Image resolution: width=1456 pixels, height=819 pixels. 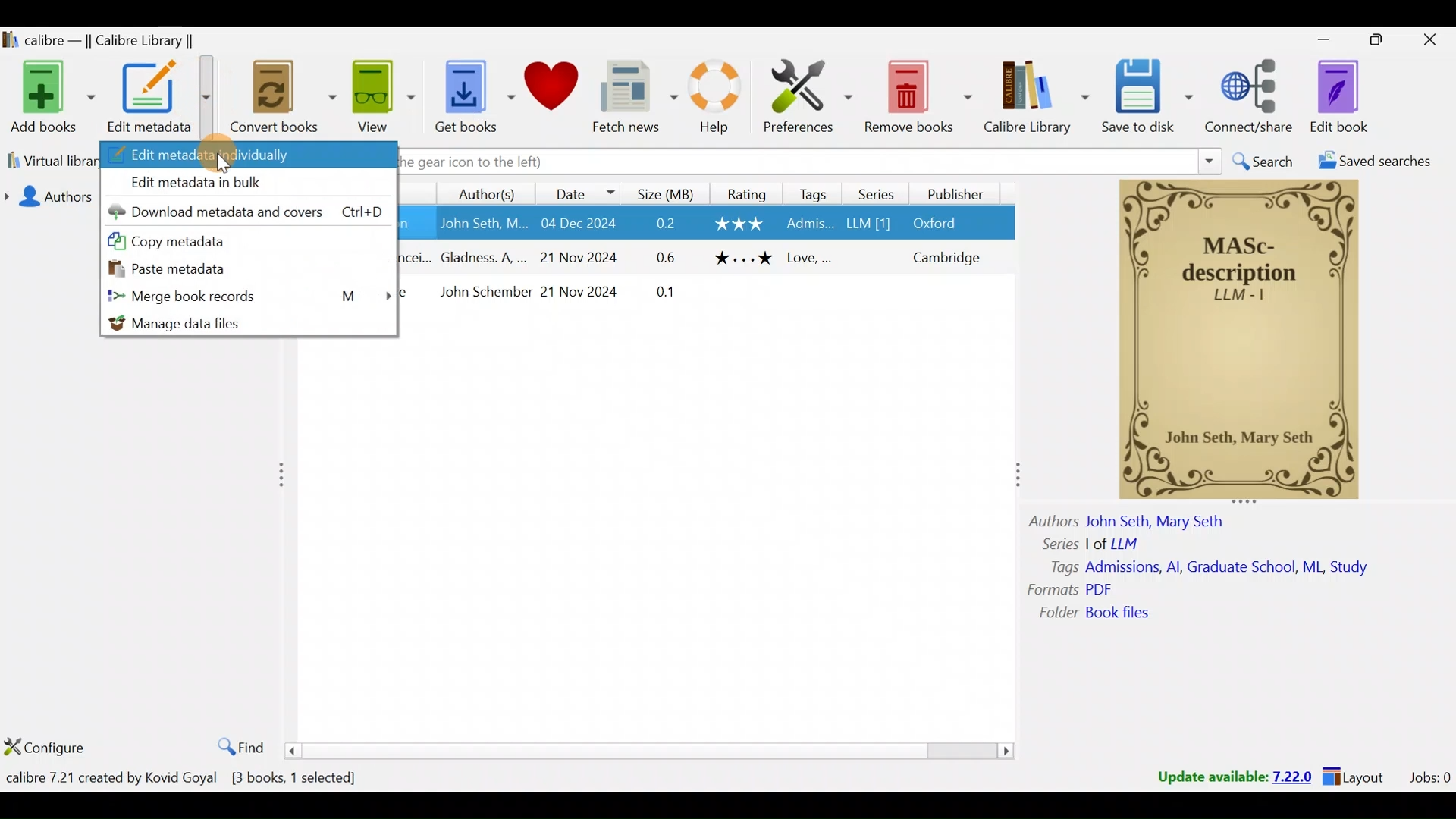 I want to click on Publisher, so click(x=962, y=192).